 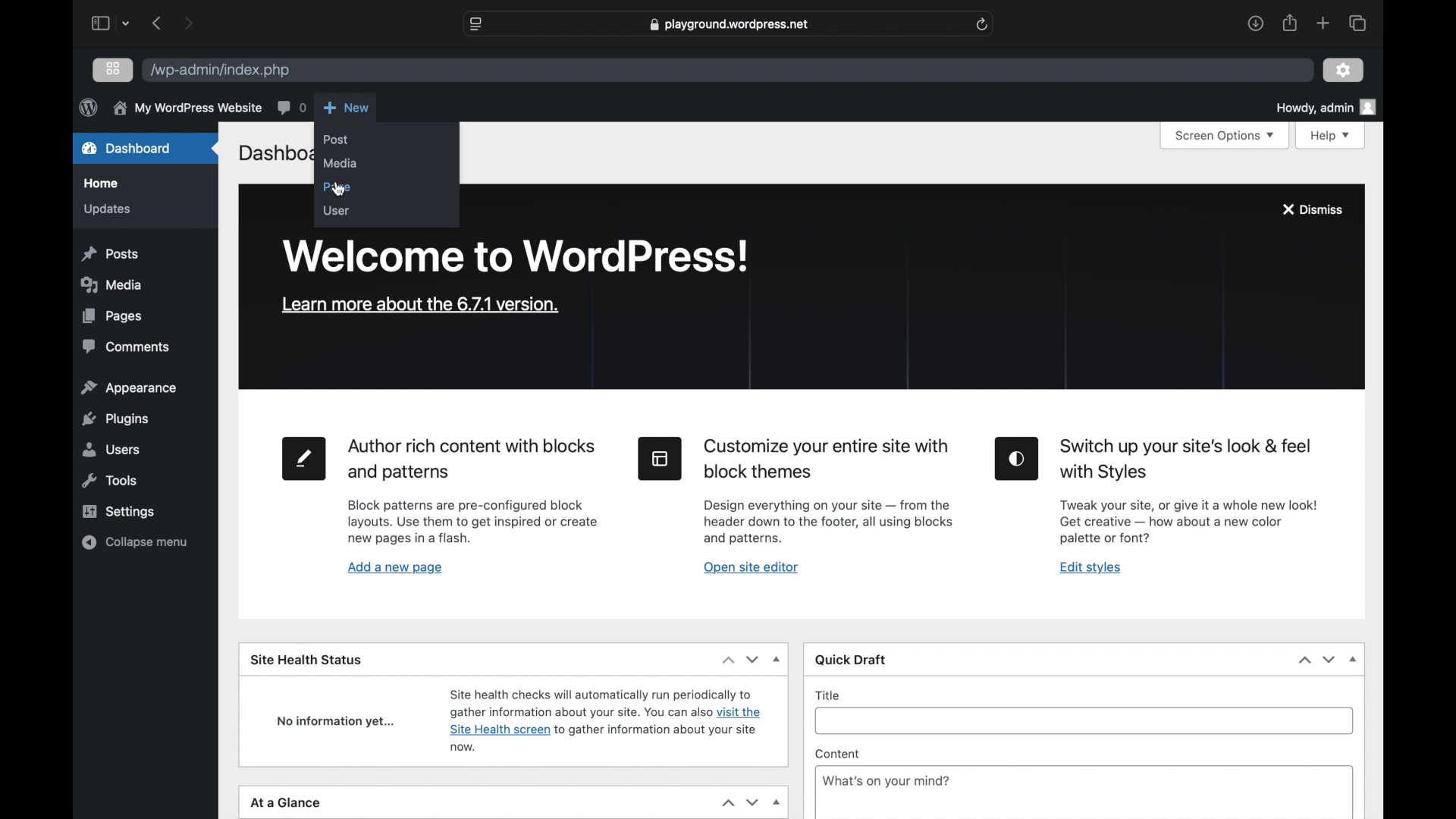 I want to click on Site health checks will automatically run periodically to
gather information about your site. You can also visit the
Site Health screen to gather information about your site
now., so click(x=613, y=720).